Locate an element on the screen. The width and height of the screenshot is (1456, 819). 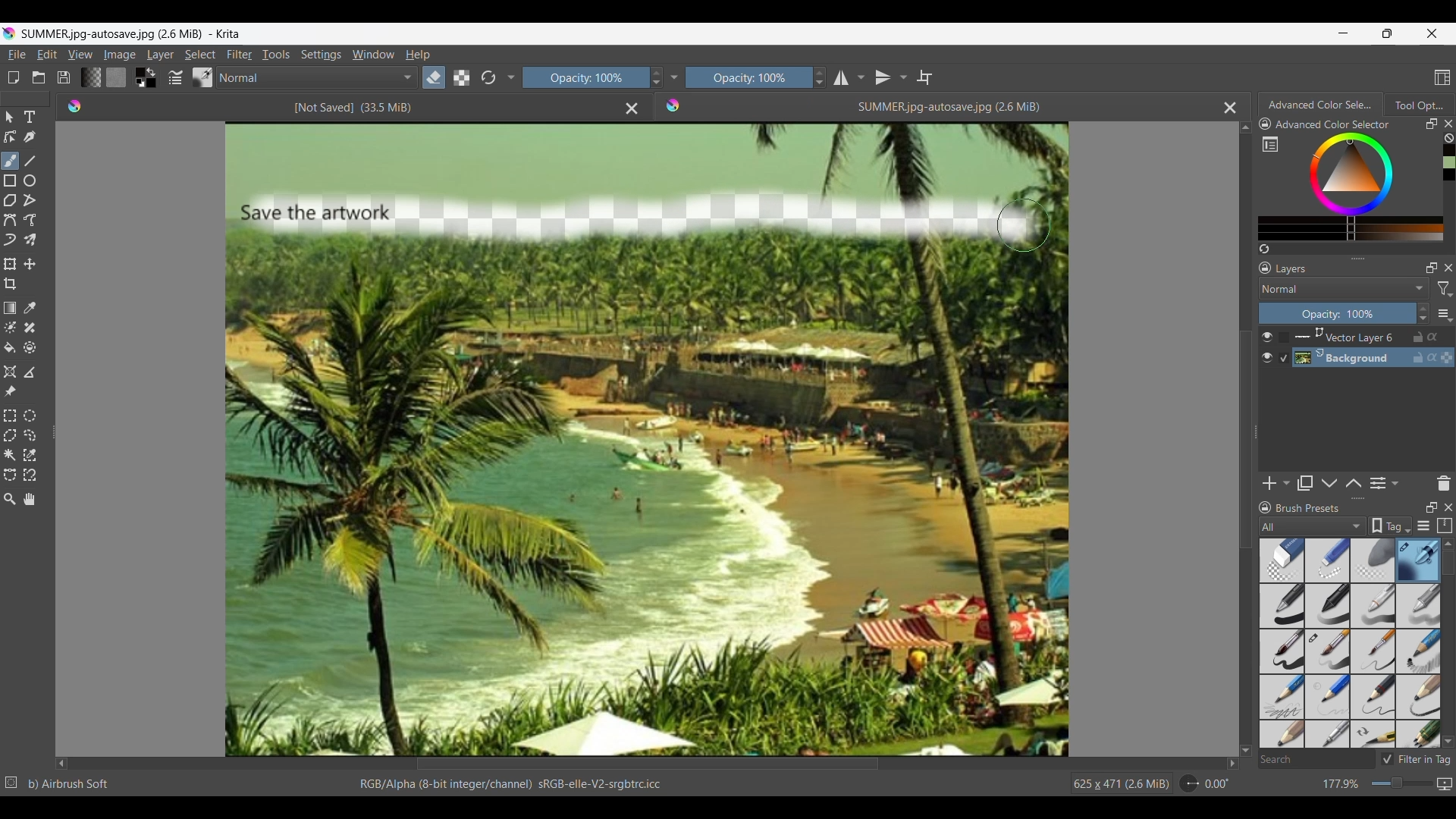
Polyline tool is located at coordinates (30, 200).